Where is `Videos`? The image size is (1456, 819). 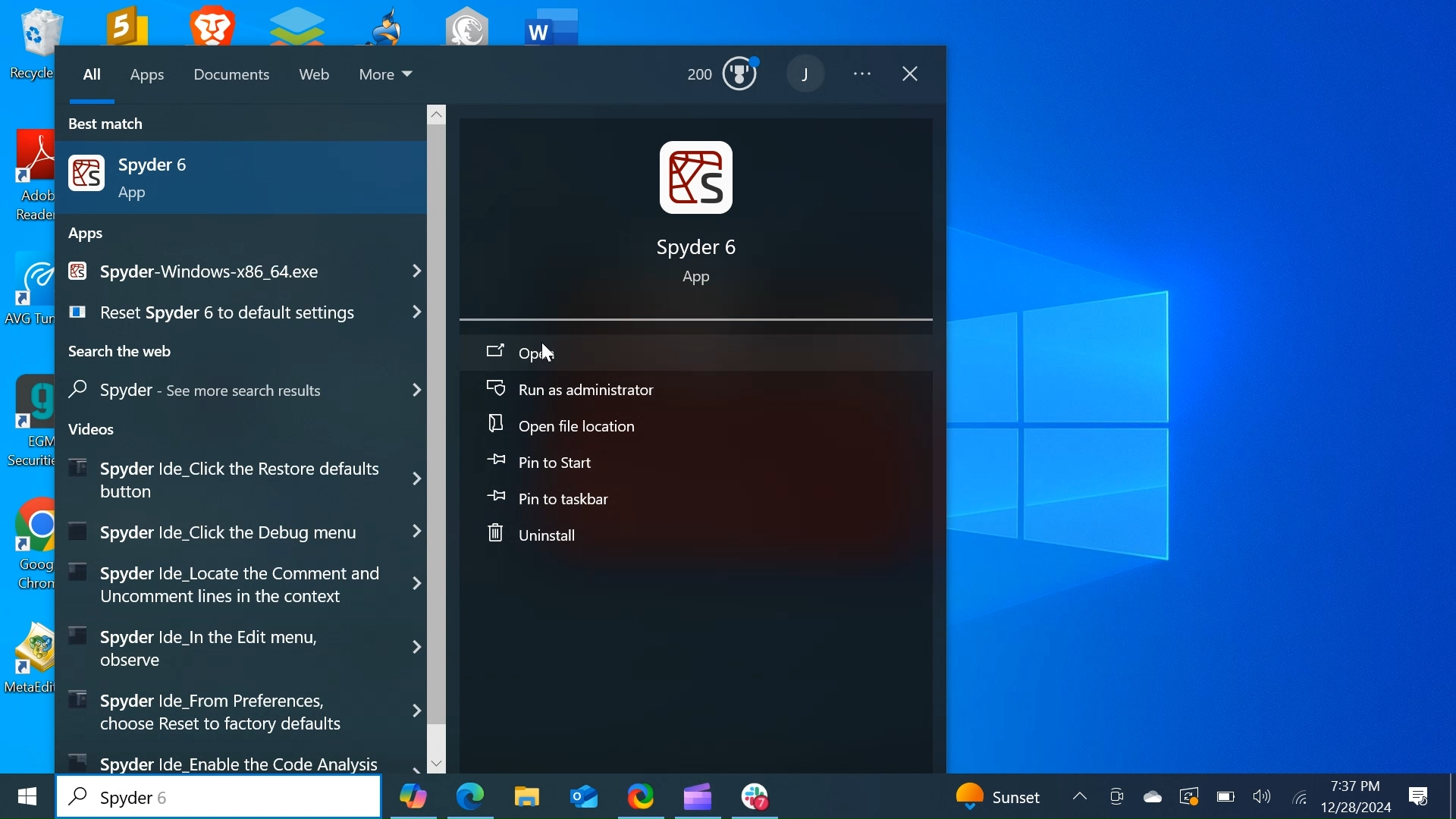 Videos is located at coordinates (97, 428).